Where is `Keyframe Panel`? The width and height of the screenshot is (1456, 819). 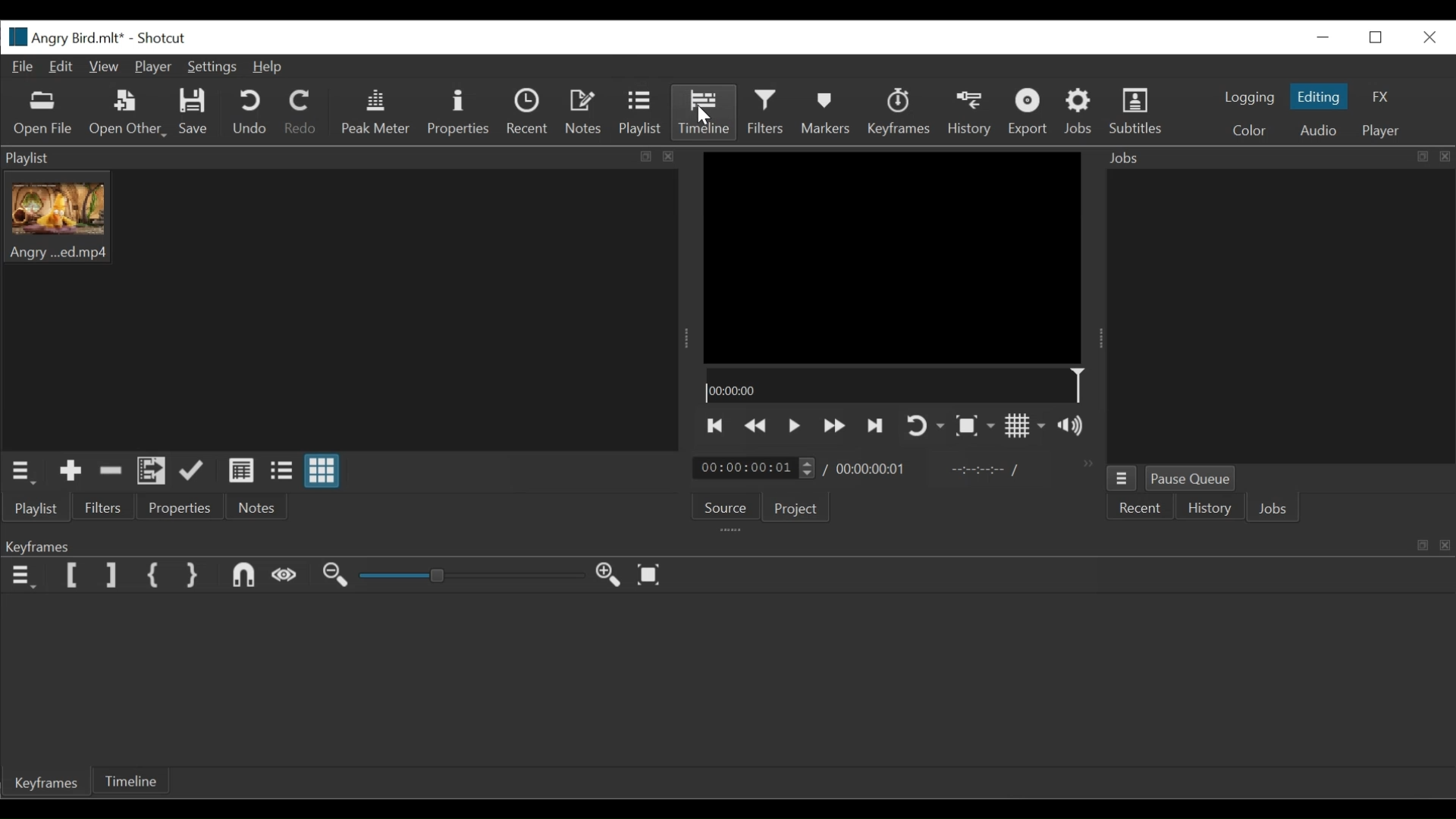 Keyframe Panel is located at coordinates (734, 544).